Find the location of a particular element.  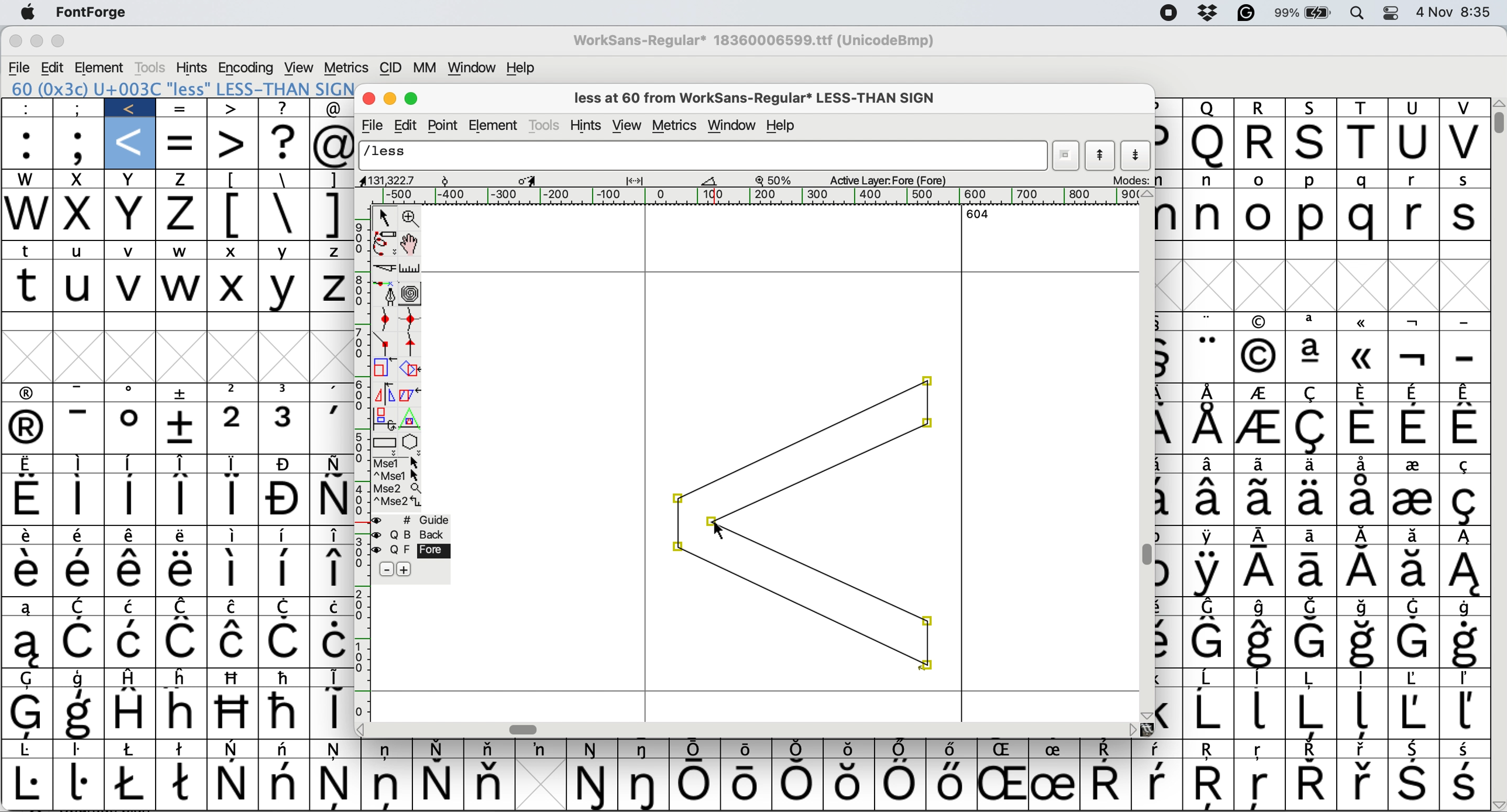

show current word list is located at coordinates (1069, 155).